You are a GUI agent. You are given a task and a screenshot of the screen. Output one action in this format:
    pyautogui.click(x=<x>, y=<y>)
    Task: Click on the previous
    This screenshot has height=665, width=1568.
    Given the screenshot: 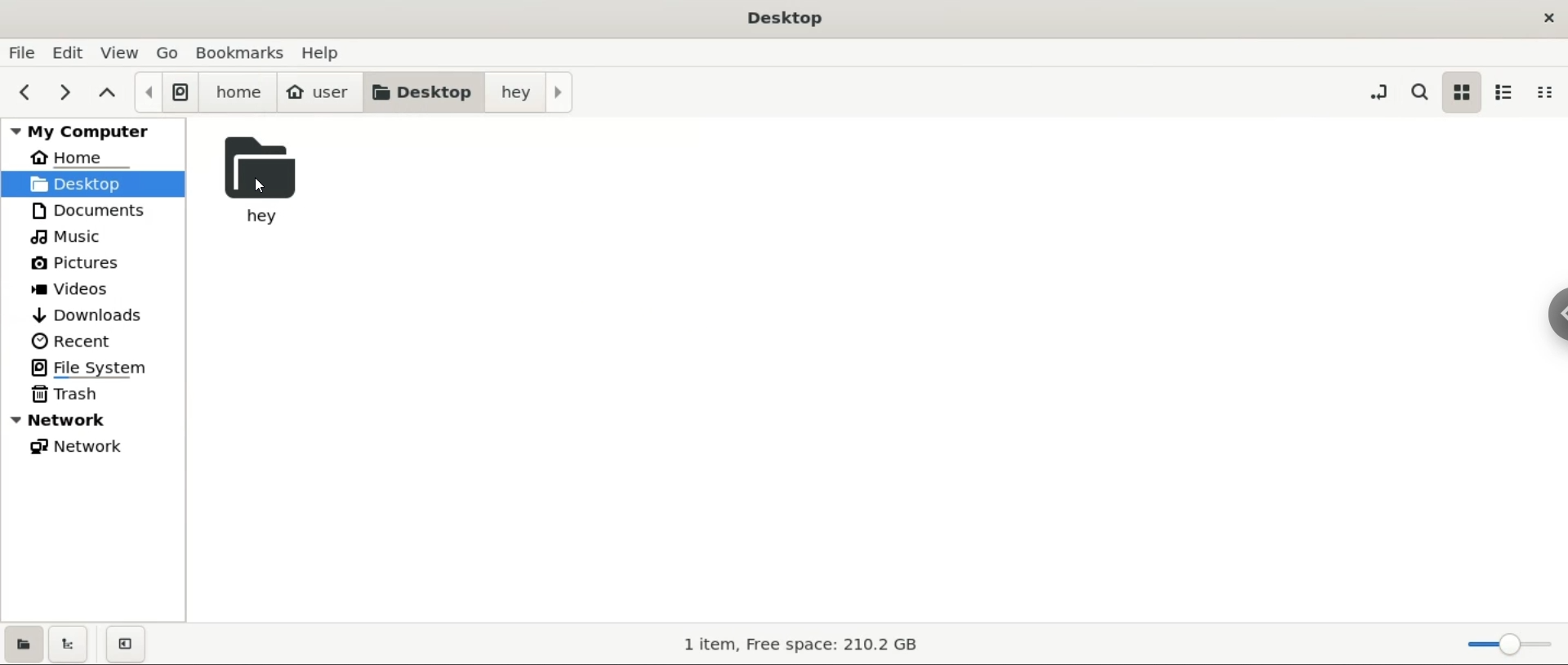 What is the action you would take?
    pyautogui.click(x=26, y=91)
    